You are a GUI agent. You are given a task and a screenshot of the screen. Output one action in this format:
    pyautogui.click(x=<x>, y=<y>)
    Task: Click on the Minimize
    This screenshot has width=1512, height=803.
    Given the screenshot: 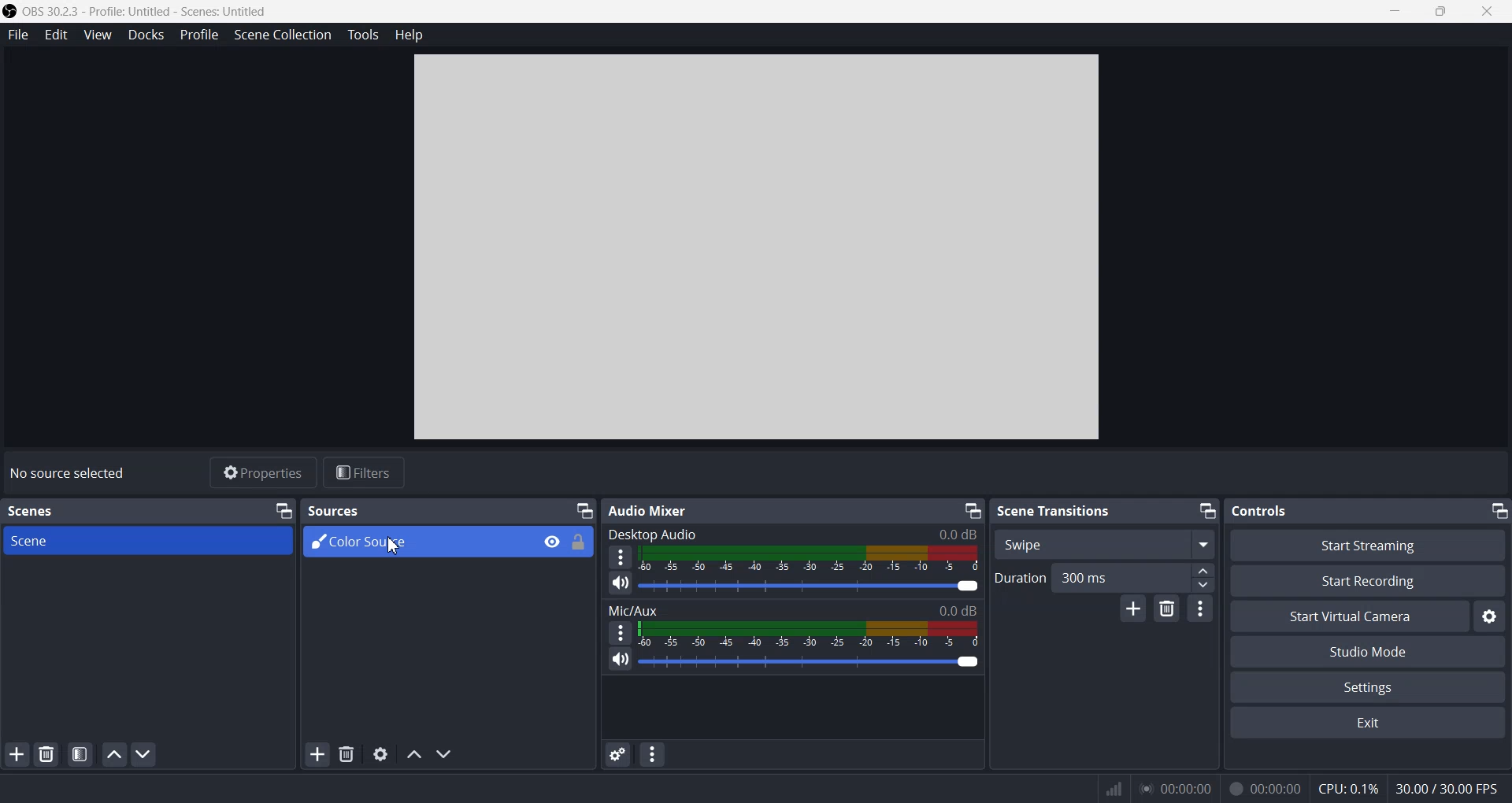 What is the action you would take?
    pyautogui.click(x=972, y=509)
    